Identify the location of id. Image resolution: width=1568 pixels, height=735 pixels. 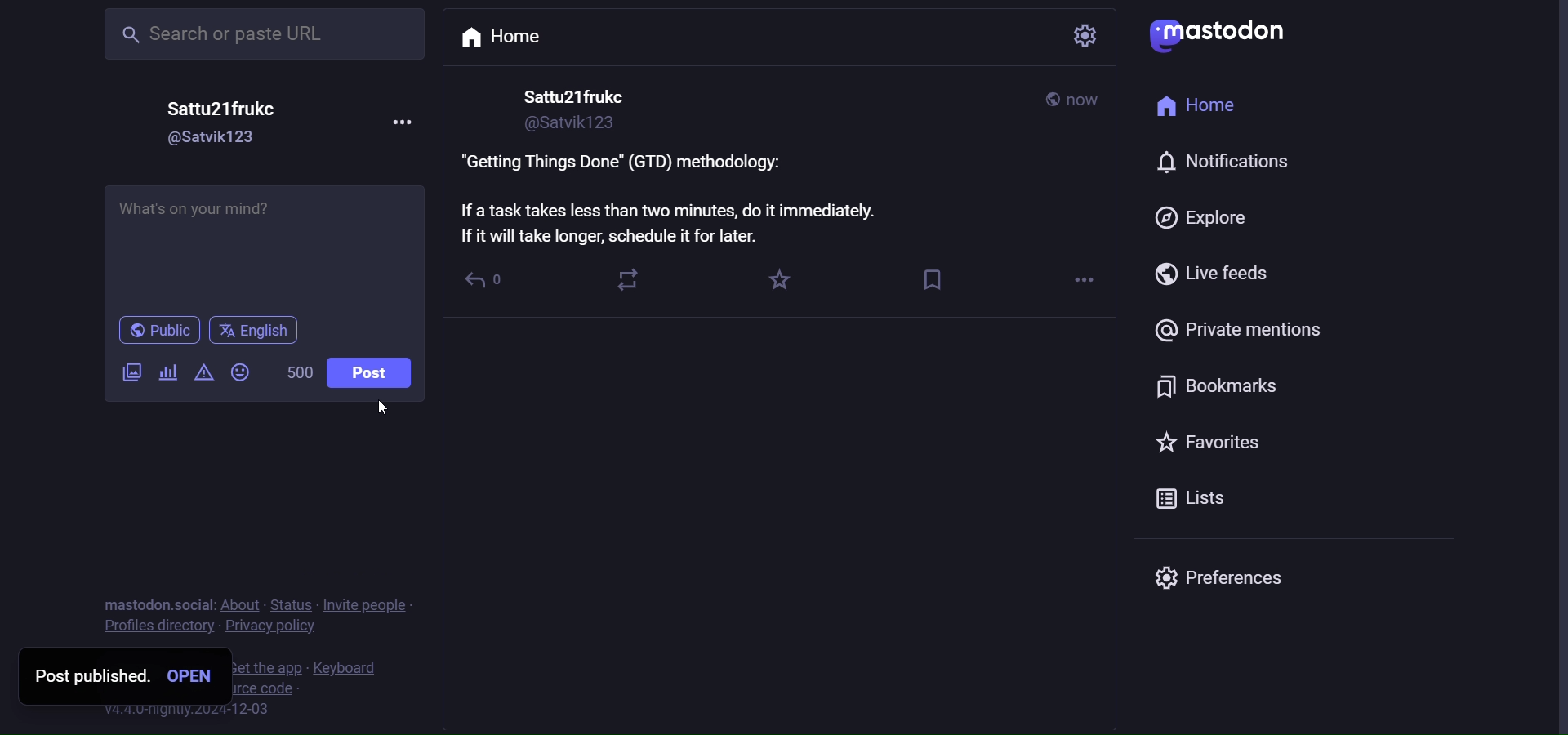
(219, 138).